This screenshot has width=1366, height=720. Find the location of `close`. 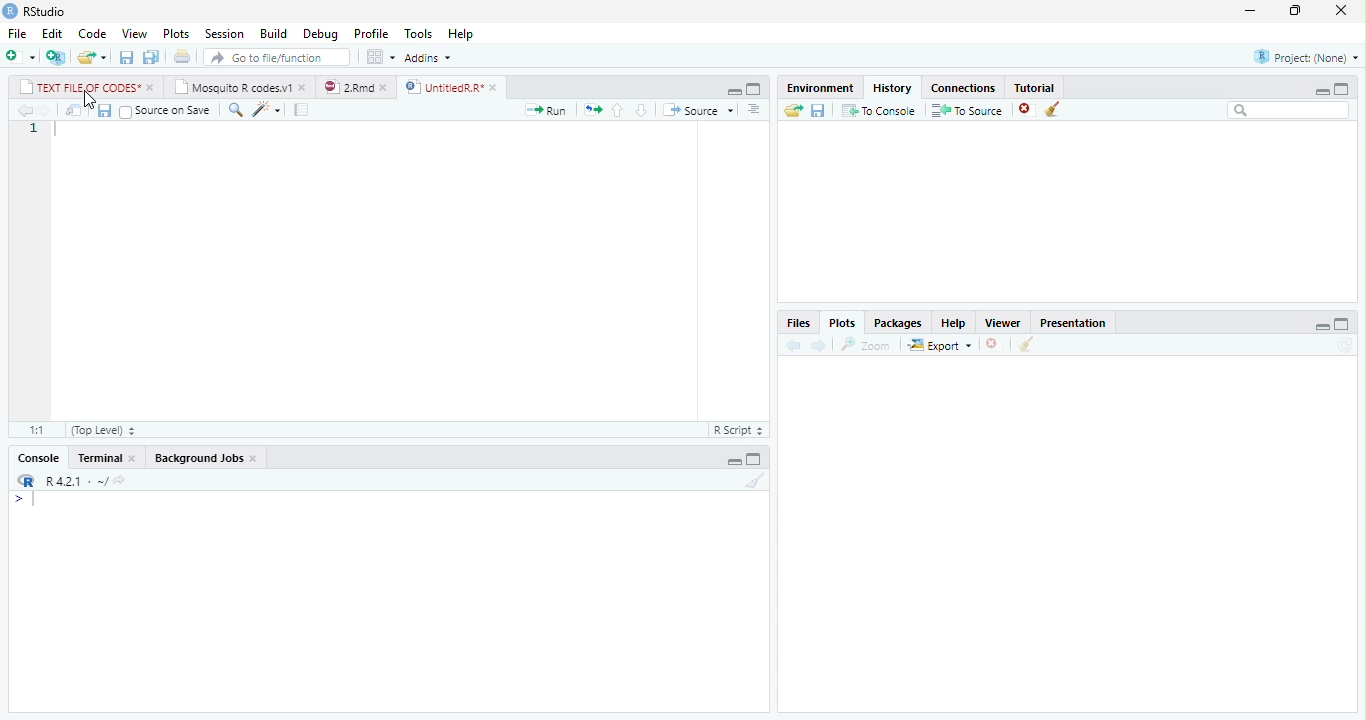

close is located at coordinates (305, 87).